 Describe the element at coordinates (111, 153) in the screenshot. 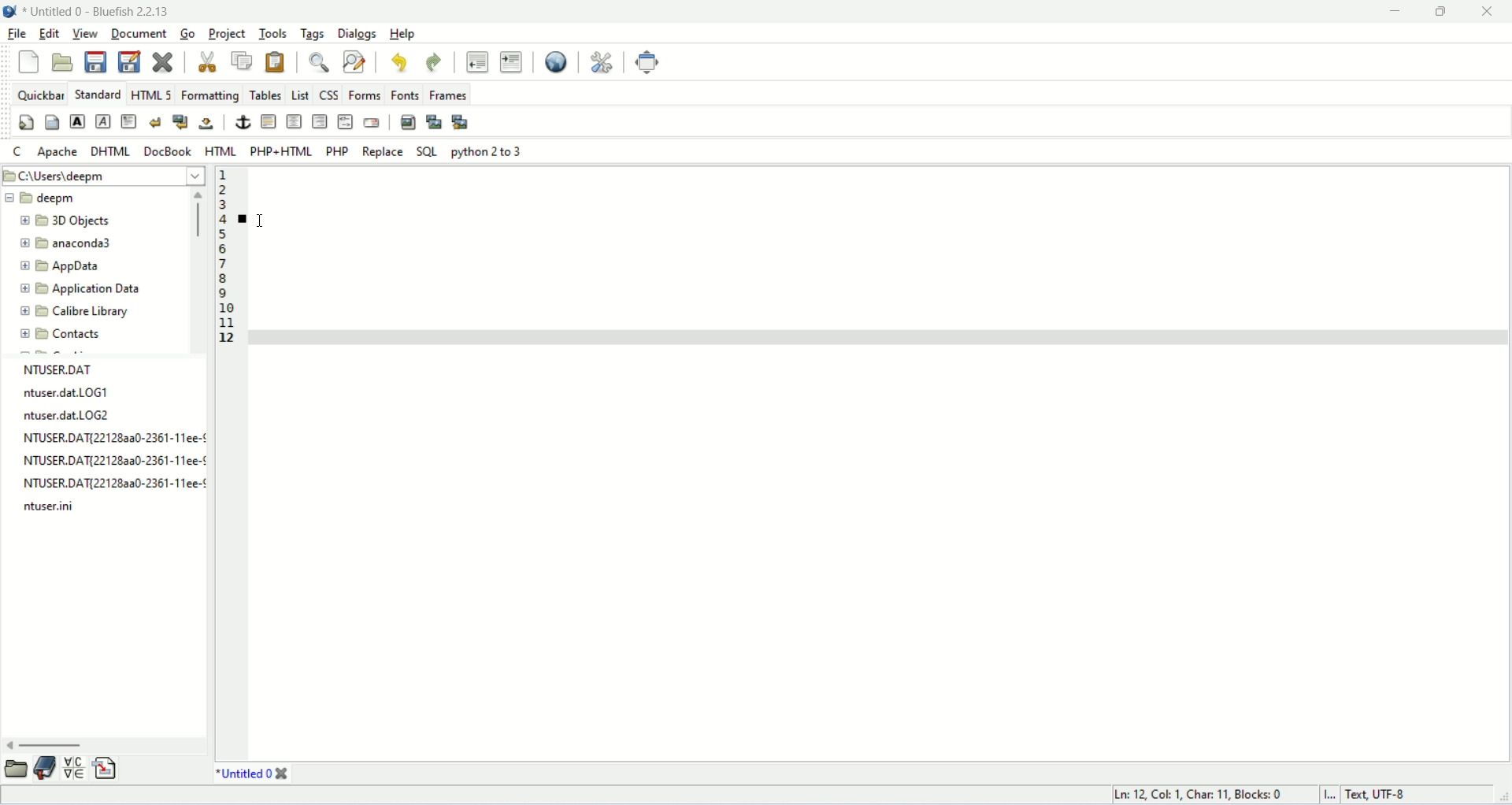

I see `DHTML` at that location.